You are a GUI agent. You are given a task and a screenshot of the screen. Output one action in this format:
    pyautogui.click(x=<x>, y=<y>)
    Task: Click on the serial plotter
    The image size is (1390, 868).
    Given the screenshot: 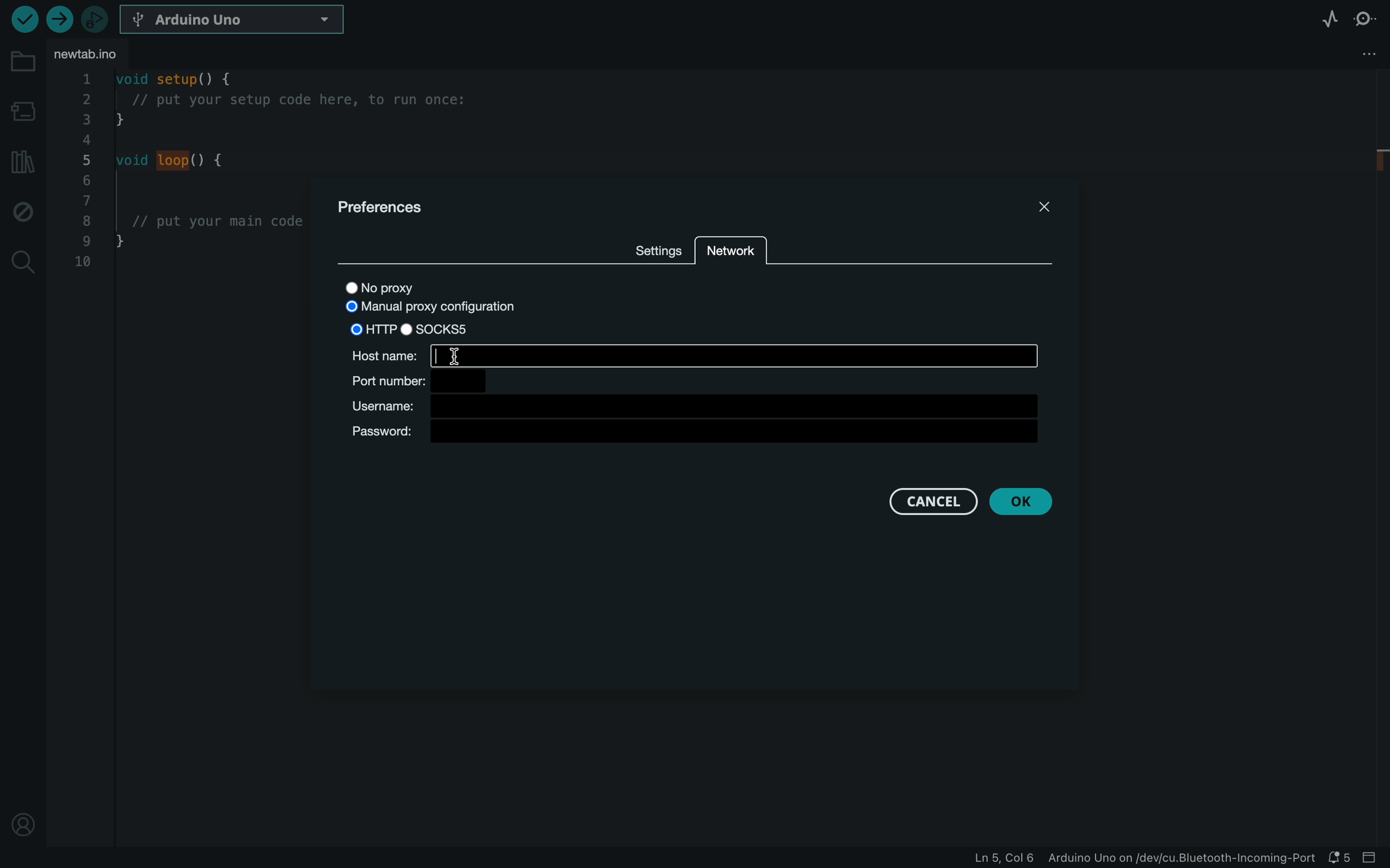 What is the action you would take?
    pyautogui.click(x=1329, y=18)
    